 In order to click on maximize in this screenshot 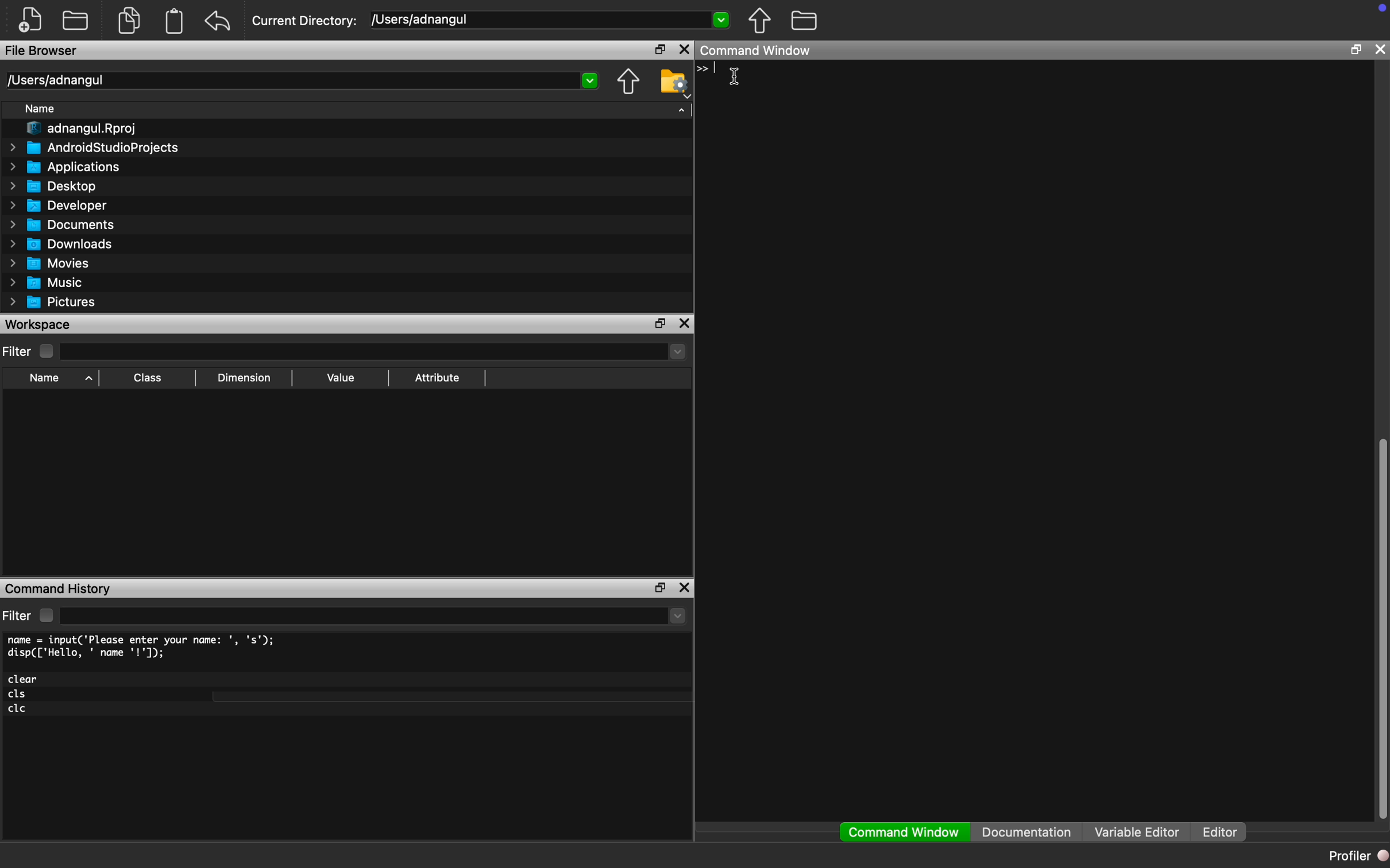, I will do `click(660, 323)`.